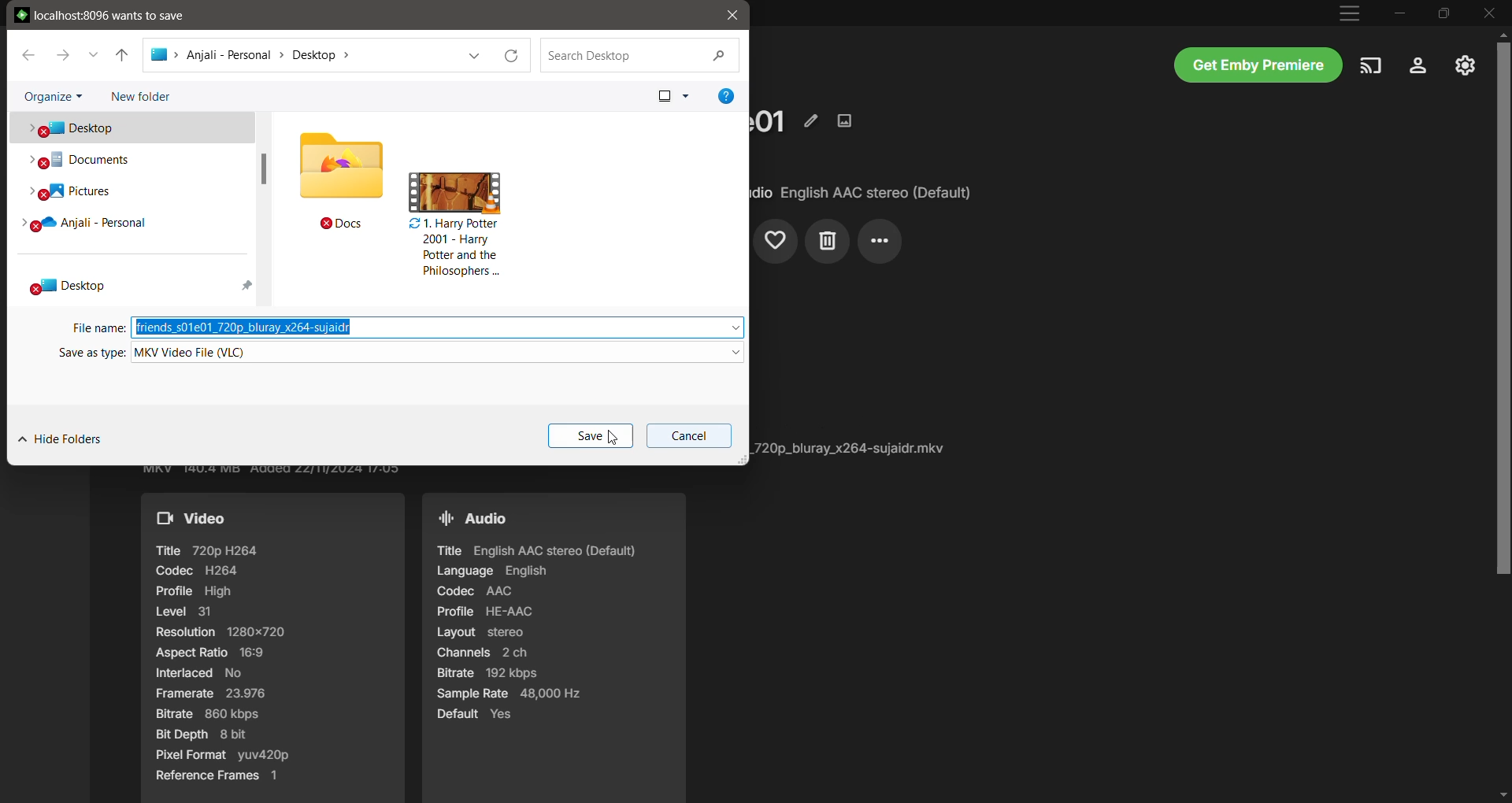 The height and width of the screenshot is (803, 1512). What do you see at coordinates (880, 242) in the screenshot?
I see `More` at bounding box center [880, 242].